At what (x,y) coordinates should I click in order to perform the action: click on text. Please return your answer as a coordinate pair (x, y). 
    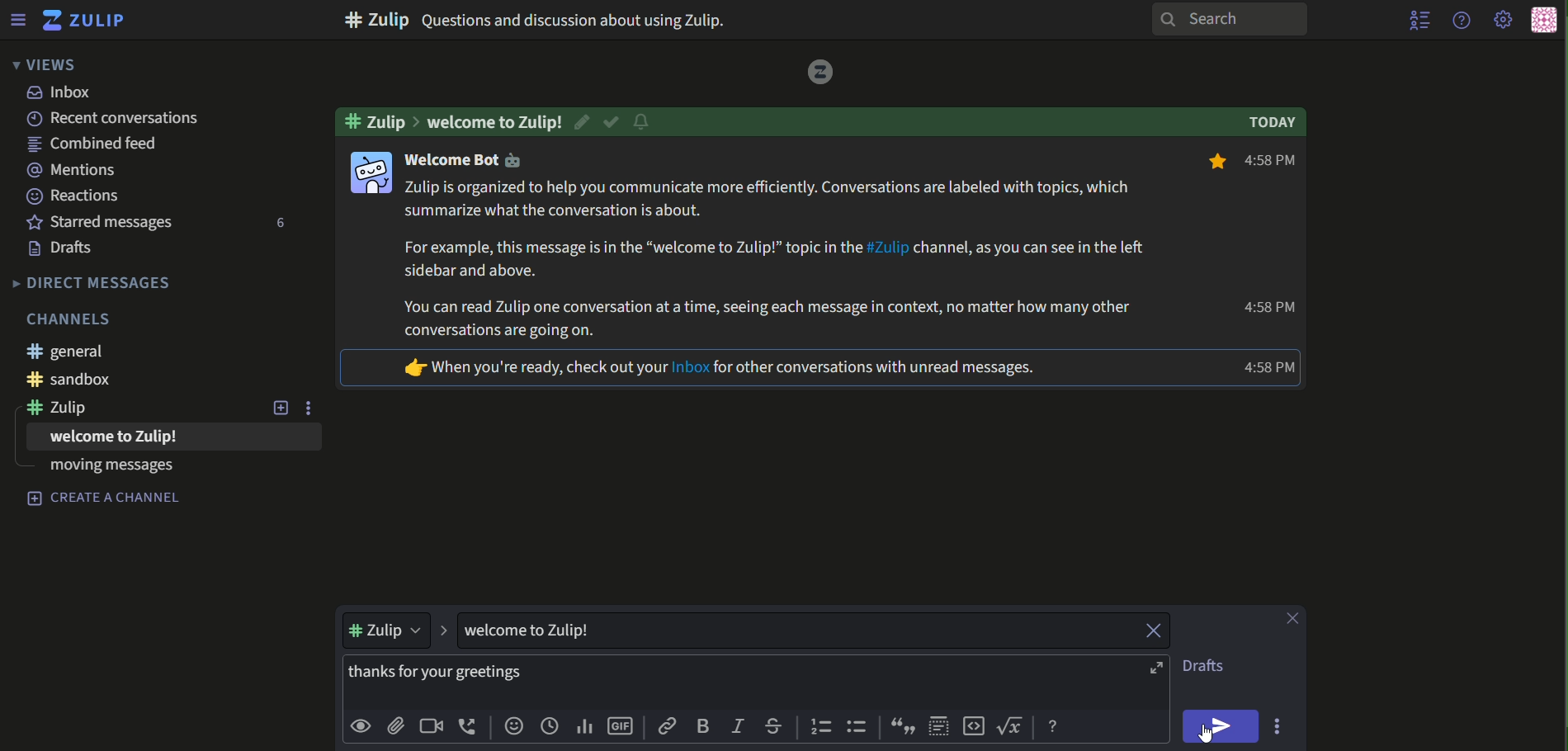
    Looking at the image, I should click on (1276, 162).